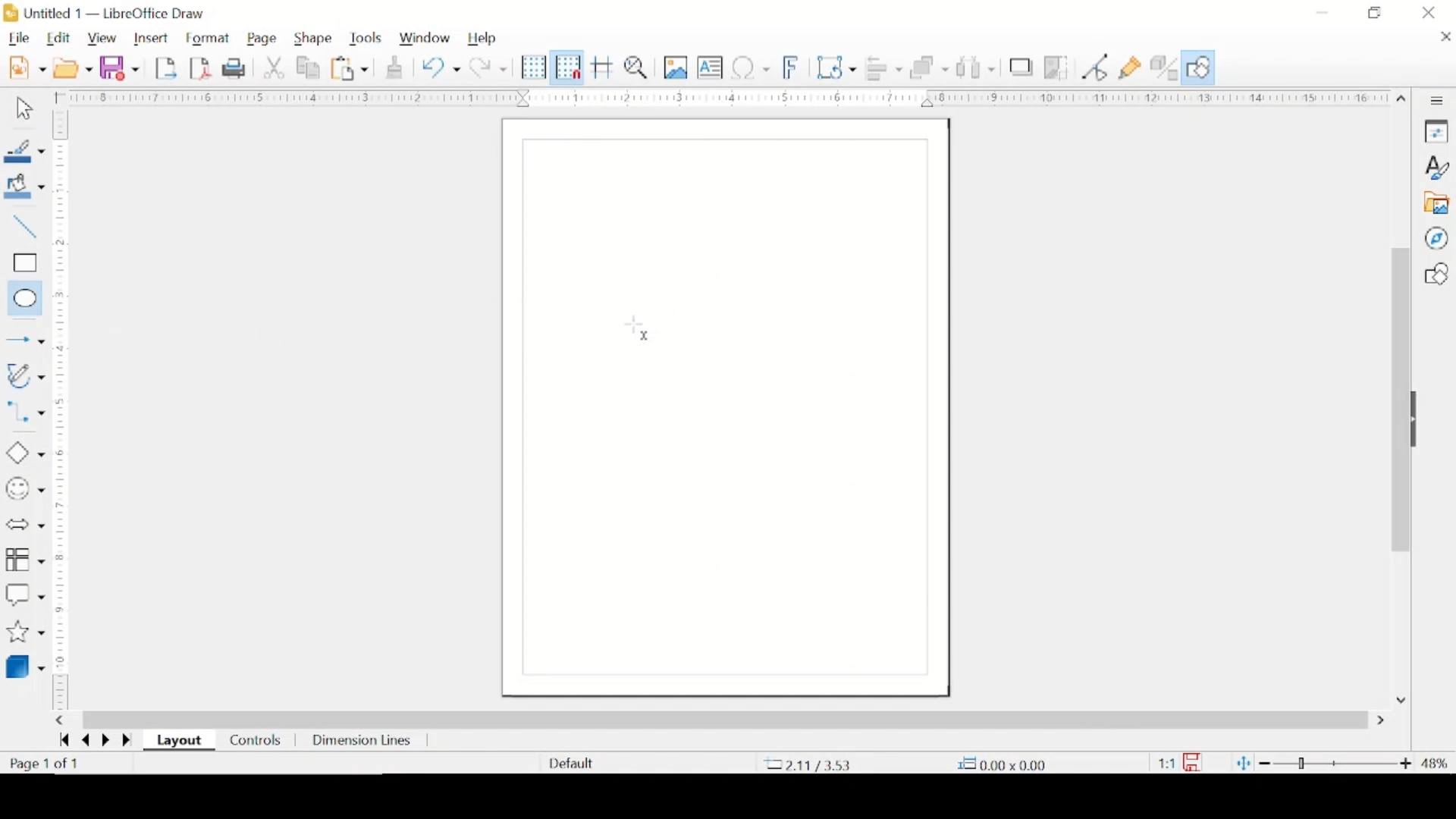 Image resolution: width=1456 pixels, height=819 pixels. Describe the element at coordinates (24, 151) in the screenshot. I see `line color` at that location.